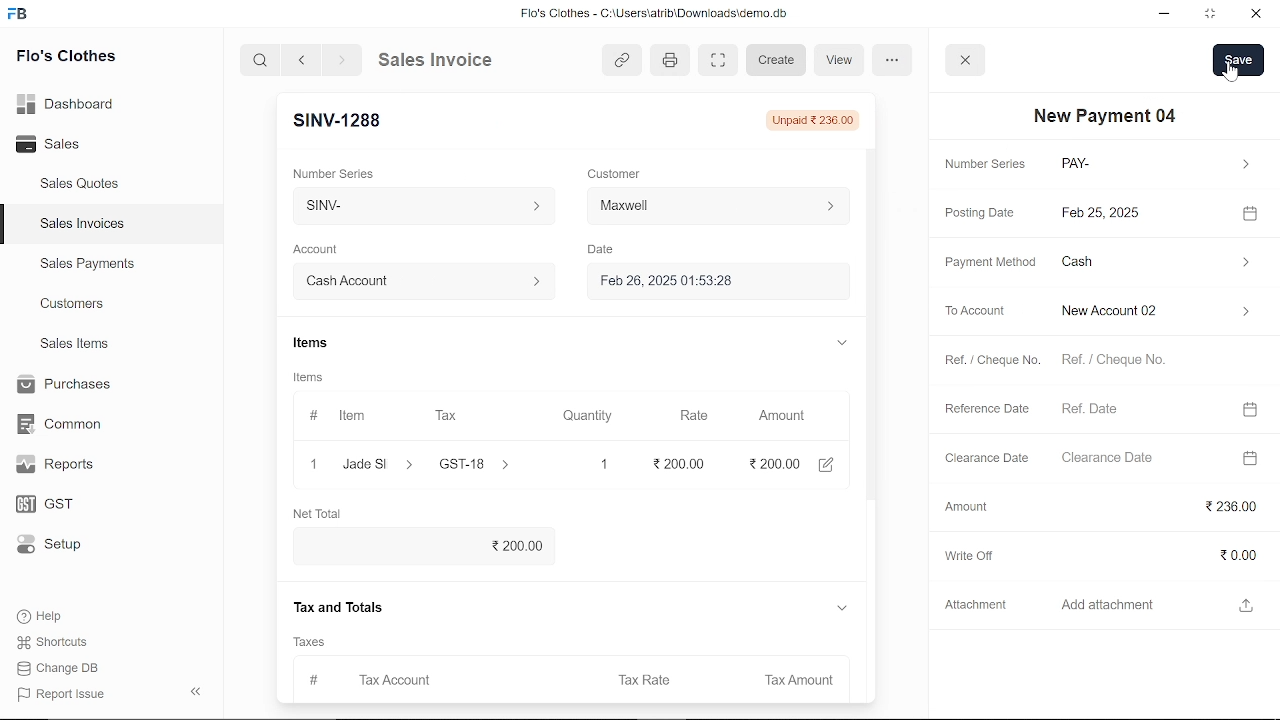  What do you see at coordinates (318, 374) in the screenshot?
I see `` at bounding box center [318, 374].